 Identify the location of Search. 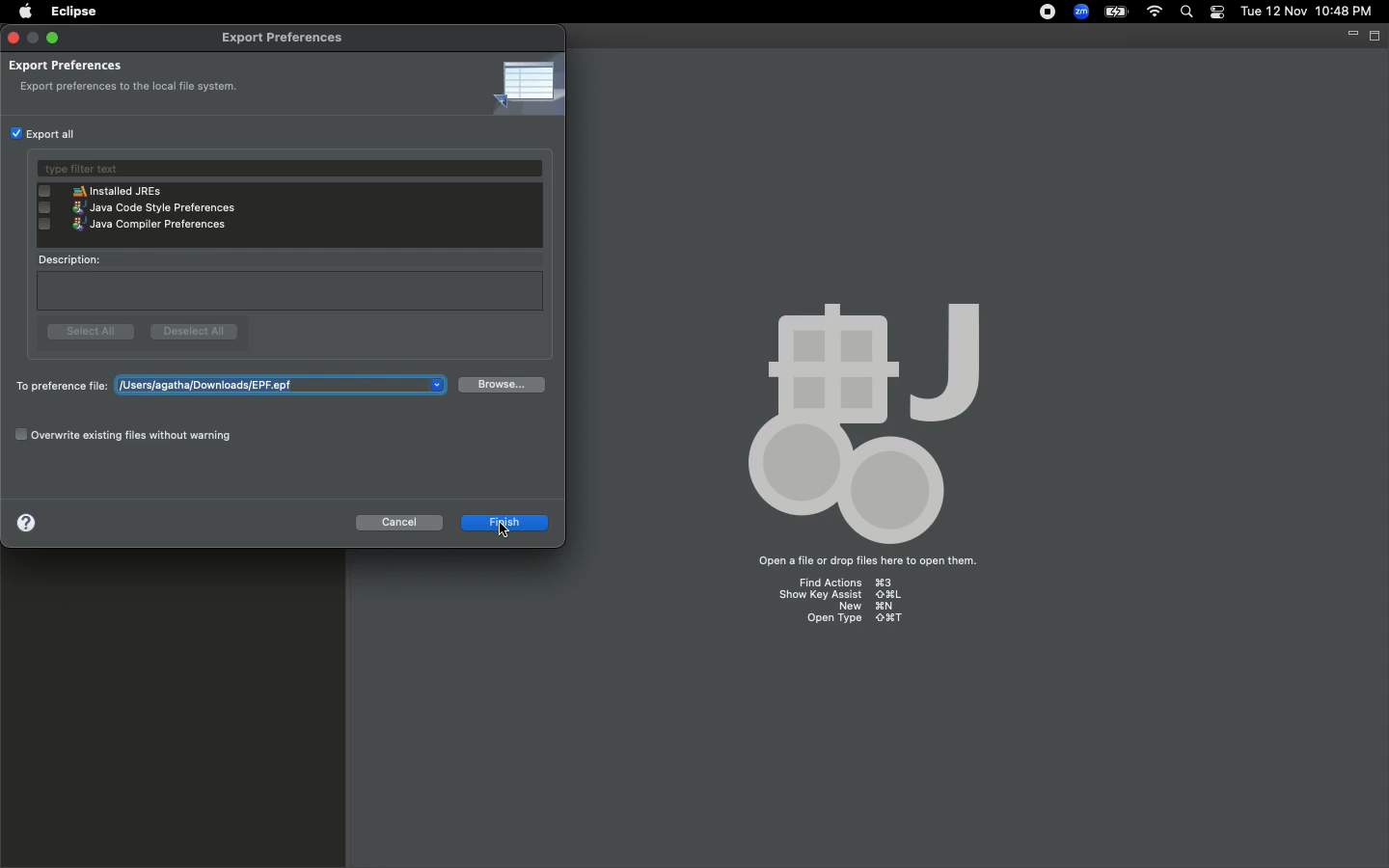
(1186, 12).